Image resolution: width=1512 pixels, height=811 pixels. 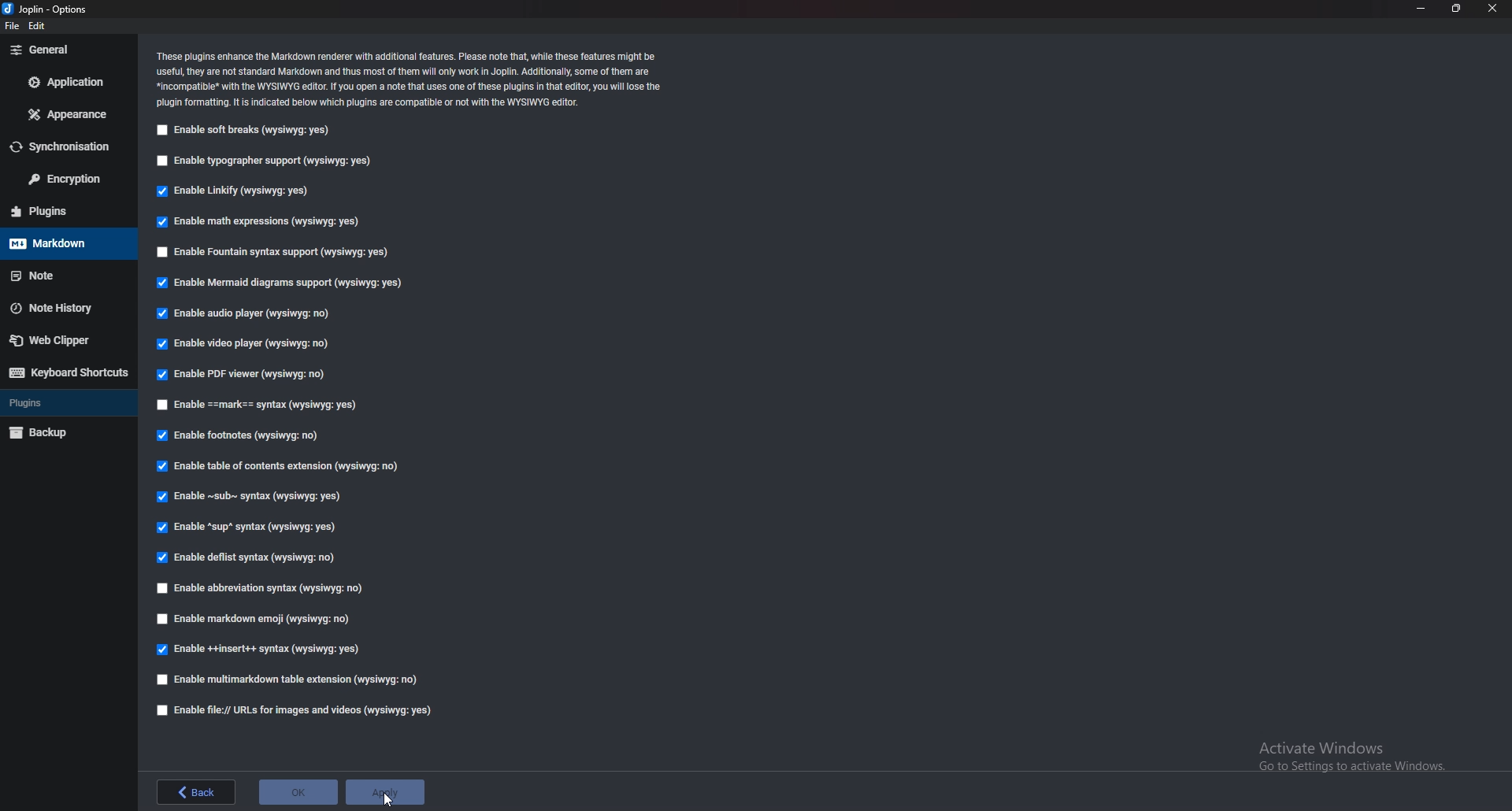 What do you see at coordinates (287, 680) in the screenshot?
I see `enable multimarkdown table` at bounding box center [287, 680].